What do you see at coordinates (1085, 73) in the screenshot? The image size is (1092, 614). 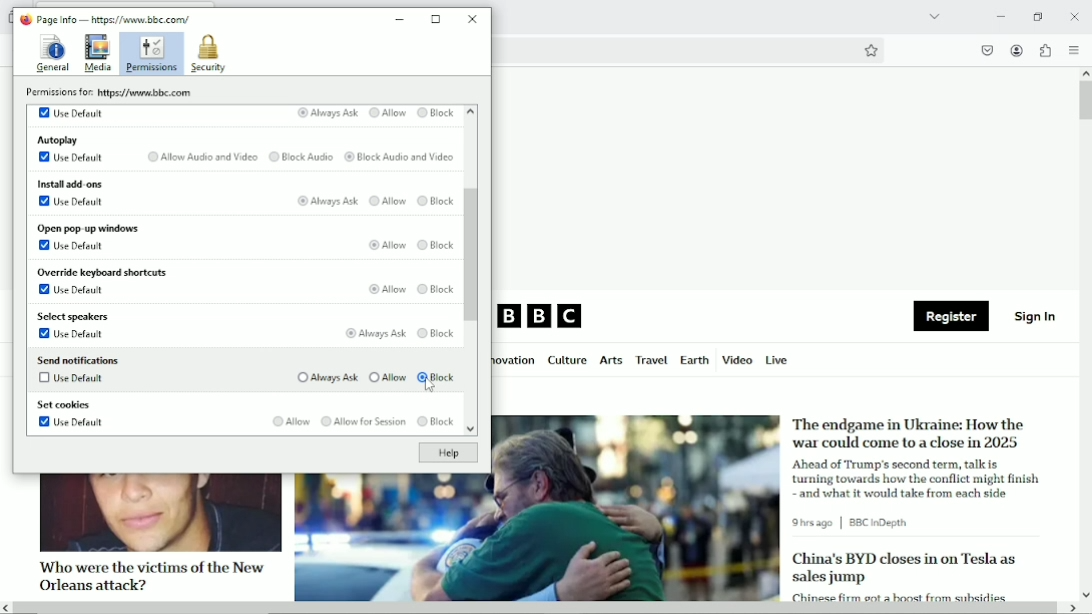 I see `scroll up` at bounding box center [1085, 73].